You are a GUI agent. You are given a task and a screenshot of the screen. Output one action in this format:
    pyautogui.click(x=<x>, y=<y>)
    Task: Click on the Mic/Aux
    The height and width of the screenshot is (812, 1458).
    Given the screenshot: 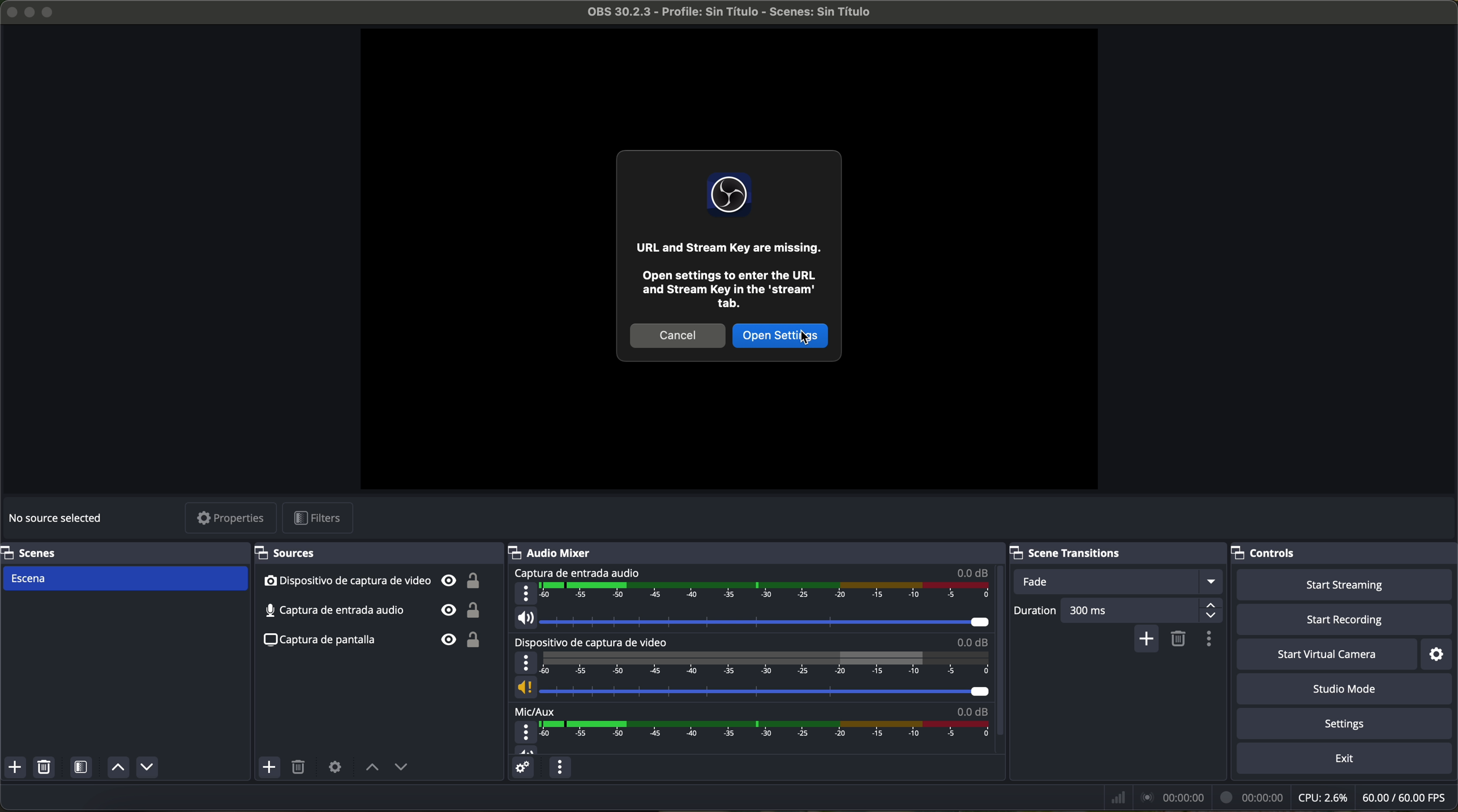 What is the action you would take?
    pyautogui.click(x=748, y=729)
    